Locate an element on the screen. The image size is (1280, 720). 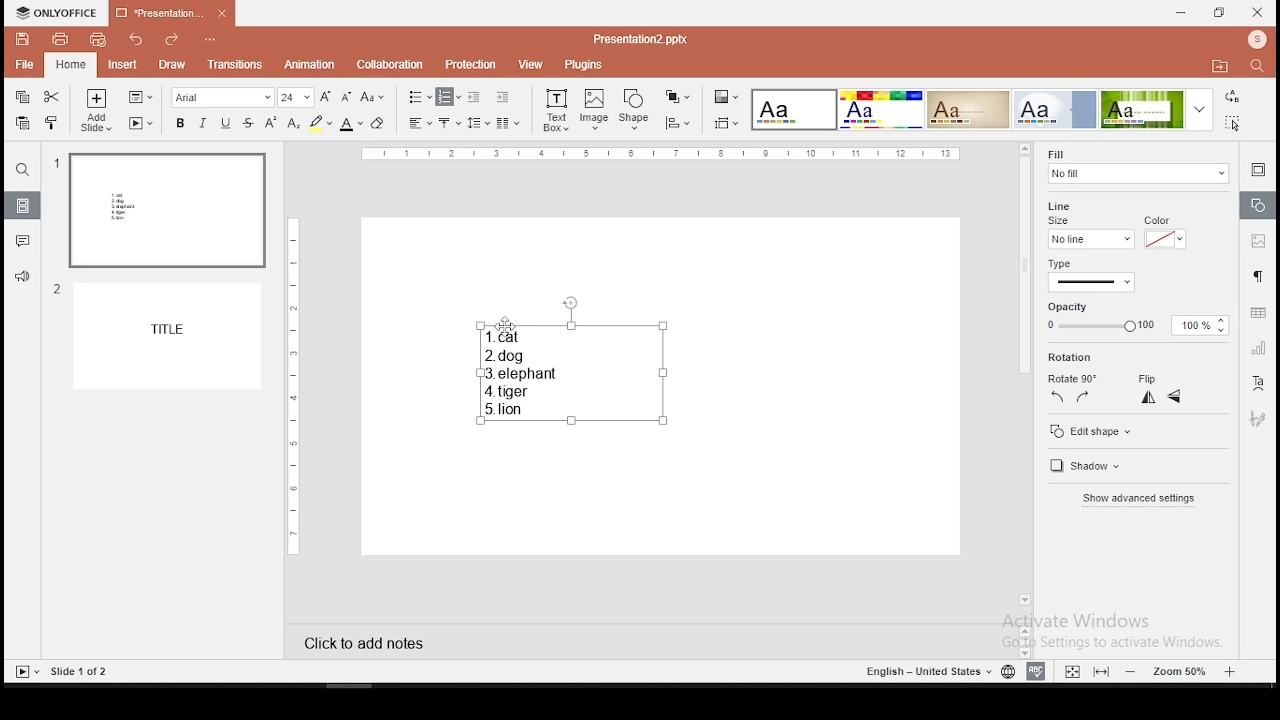
opacity is located at coordinates (1138, 318).